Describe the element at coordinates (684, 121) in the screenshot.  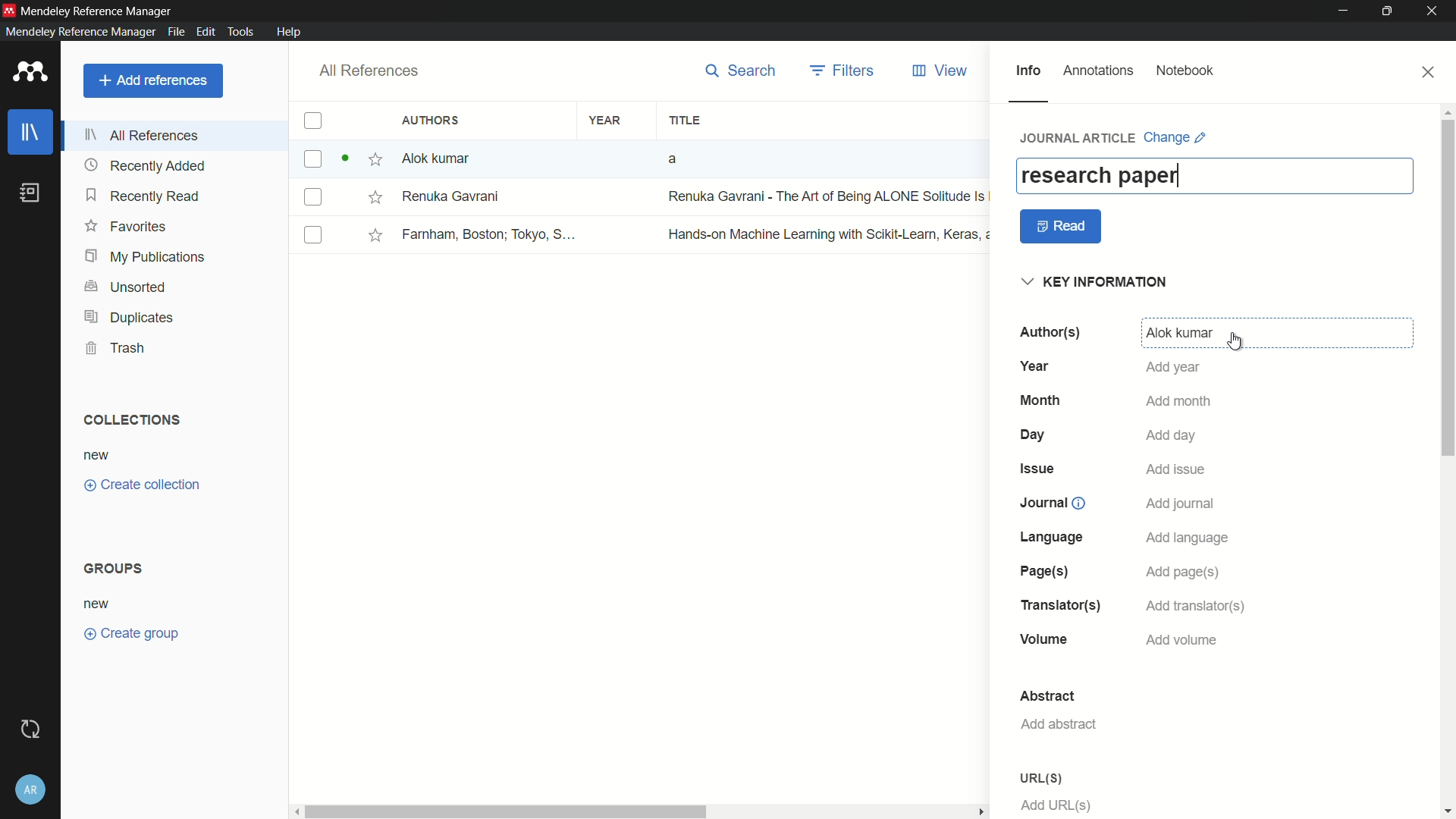
I see `title` at that location.